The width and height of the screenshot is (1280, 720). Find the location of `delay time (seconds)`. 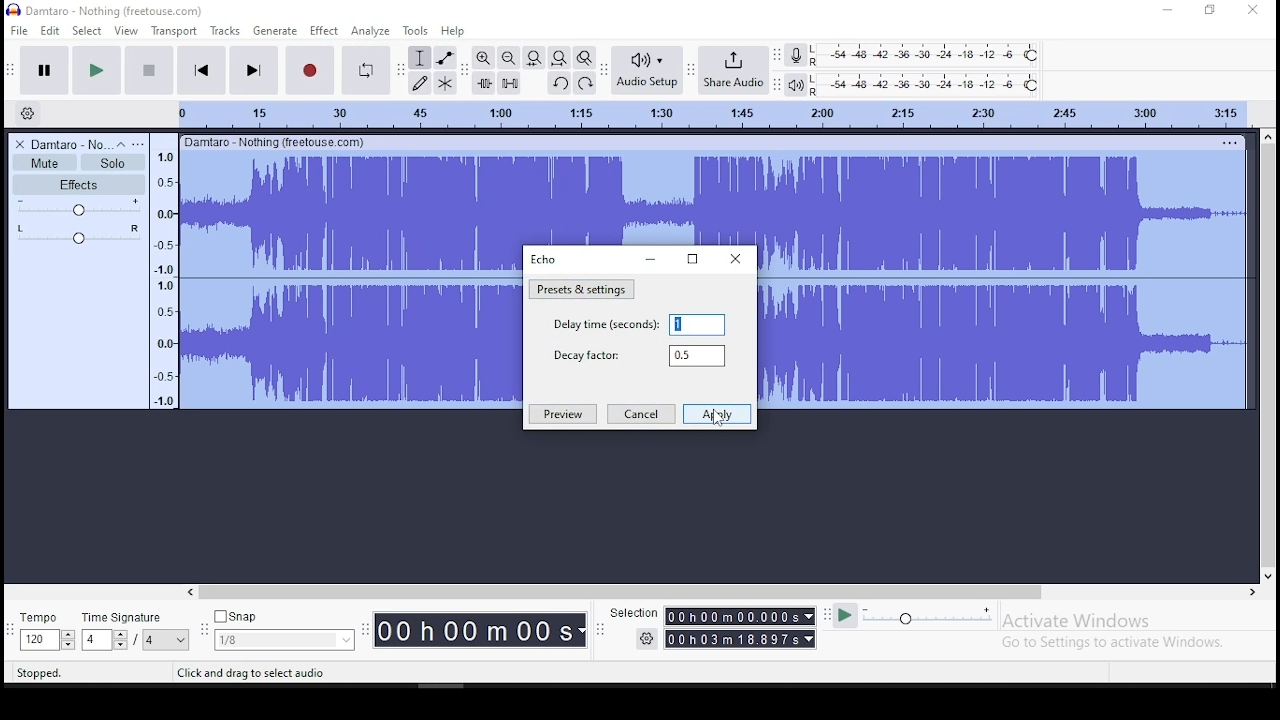

delay time (seconds) is located at coordinates (610, 324).